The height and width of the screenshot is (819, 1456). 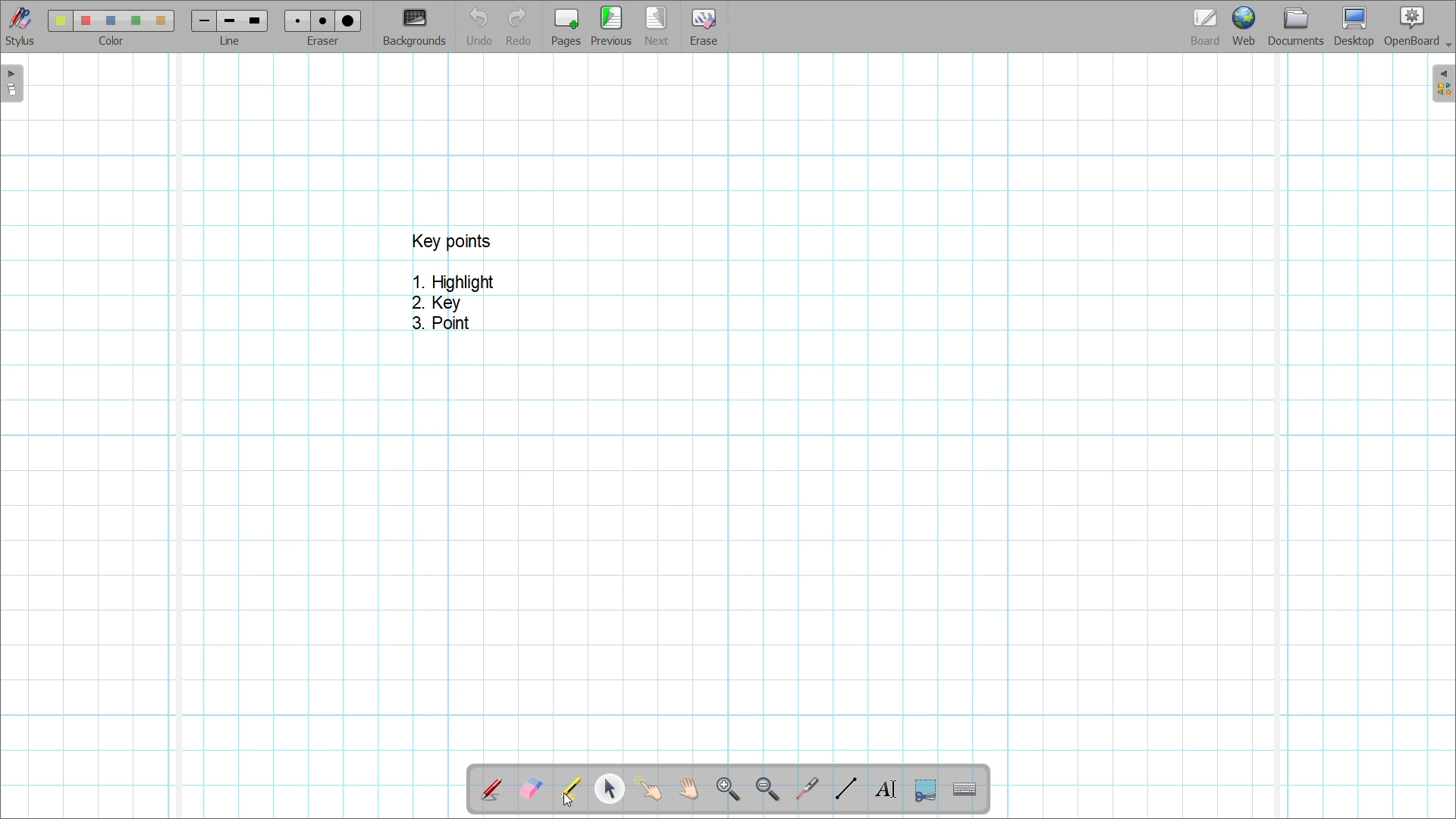 I want to click on eraser 2, so click(x=322, y=20).